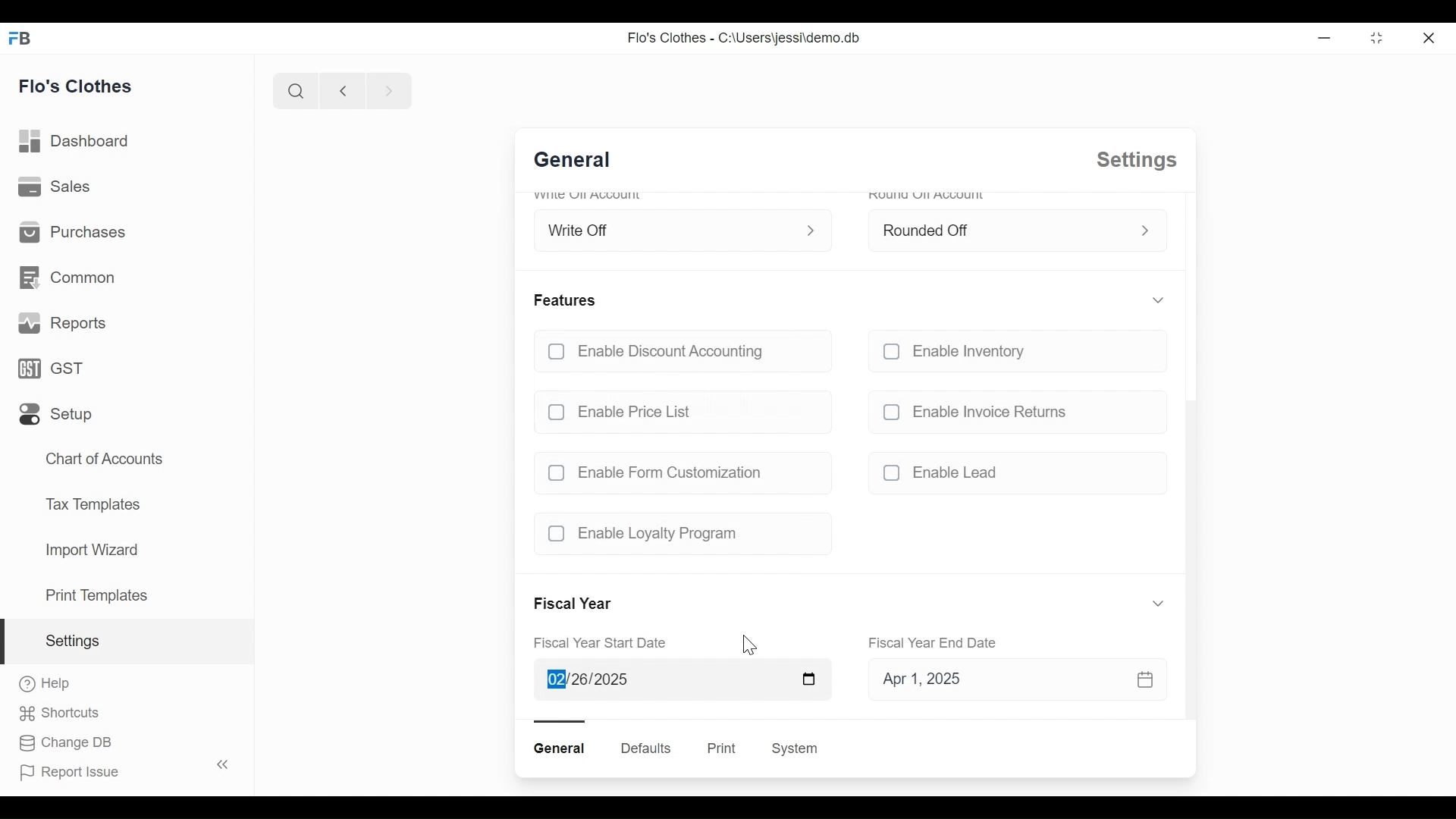  I want to click on Expand, so click(814, 229).